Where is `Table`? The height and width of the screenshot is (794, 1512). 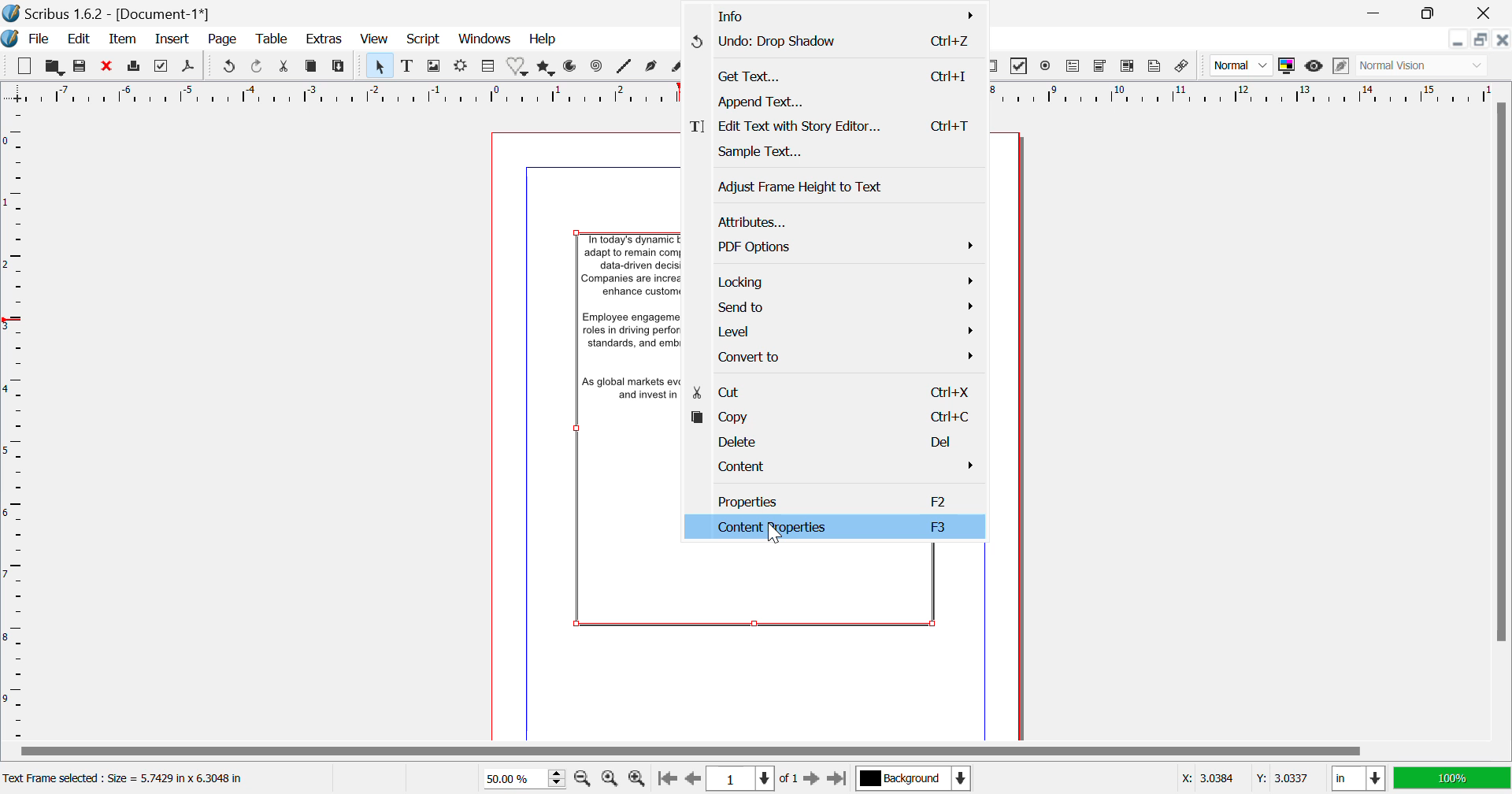 Table is located at coordinates (488, 66).